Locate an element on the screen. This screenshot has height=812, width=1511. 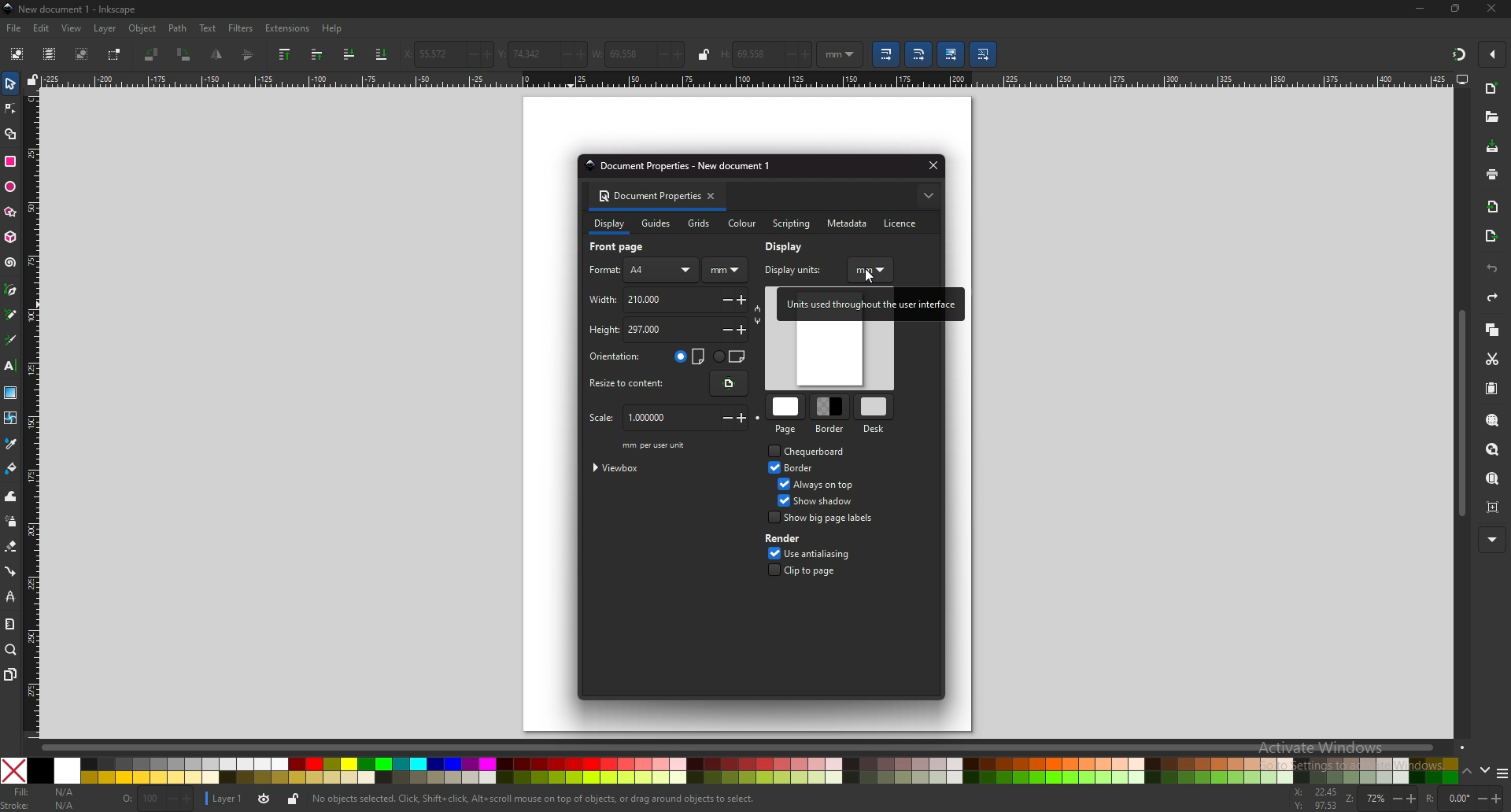
file is located at coordinates (15, 29).